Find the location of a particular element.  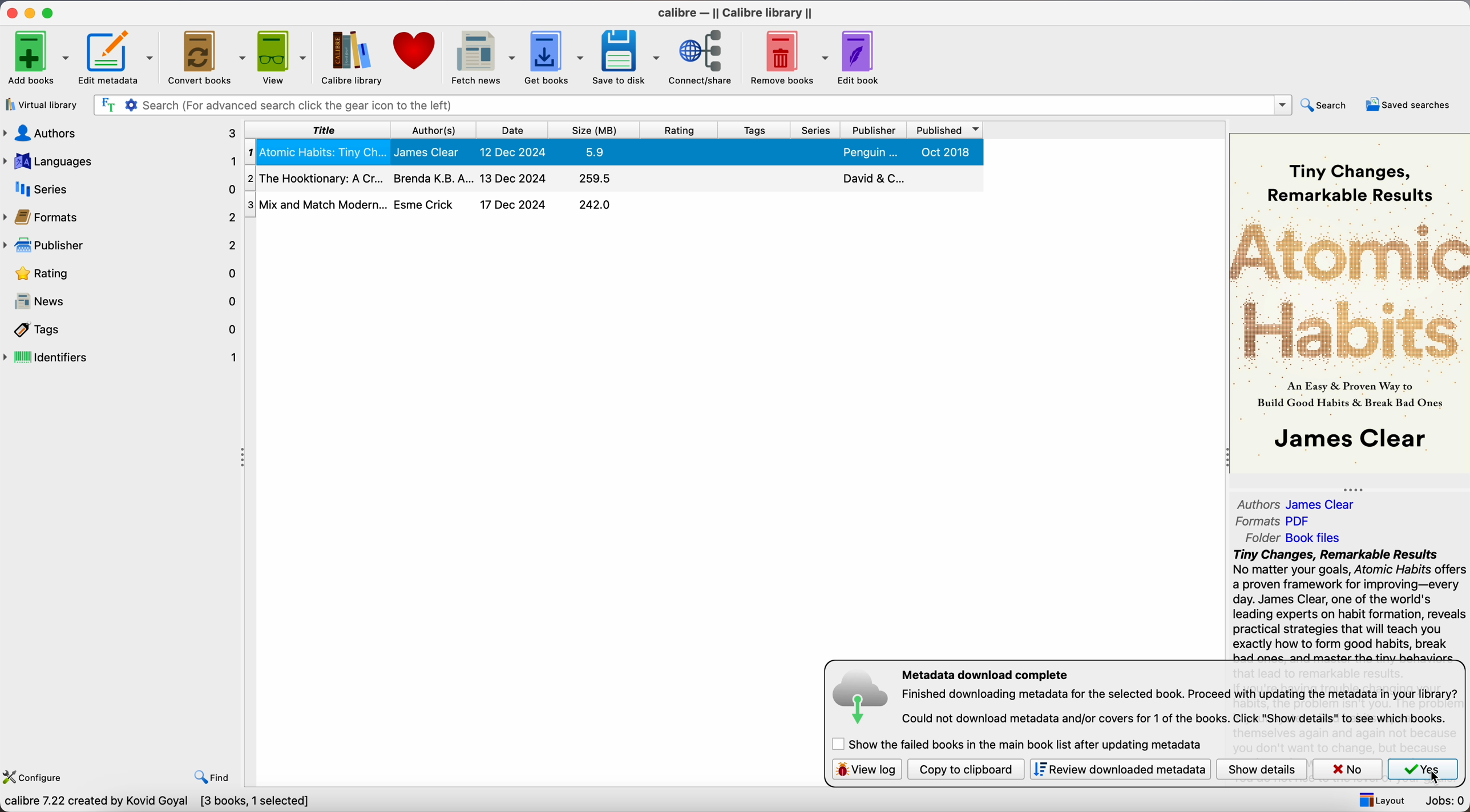

Atomic Habits: Tiny Ch... is located at coordinates (318, 152).